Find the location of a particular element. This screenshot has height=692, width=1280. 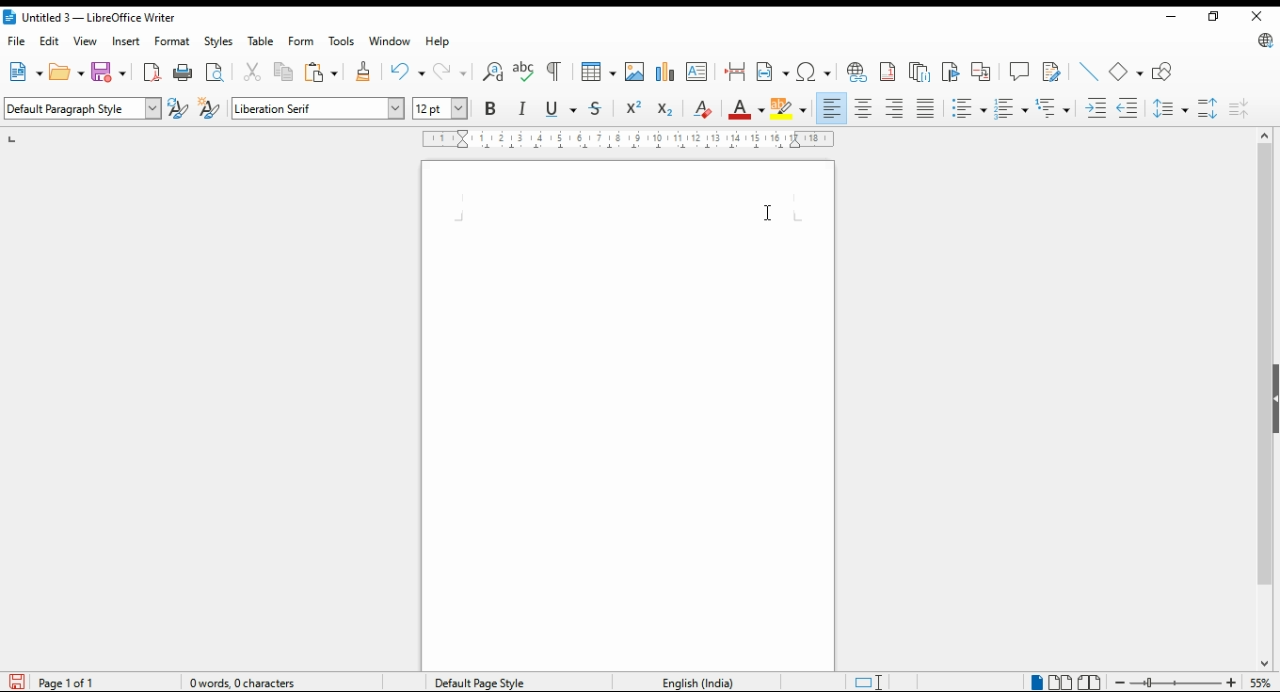

page information is located at coordinates (62, 682).